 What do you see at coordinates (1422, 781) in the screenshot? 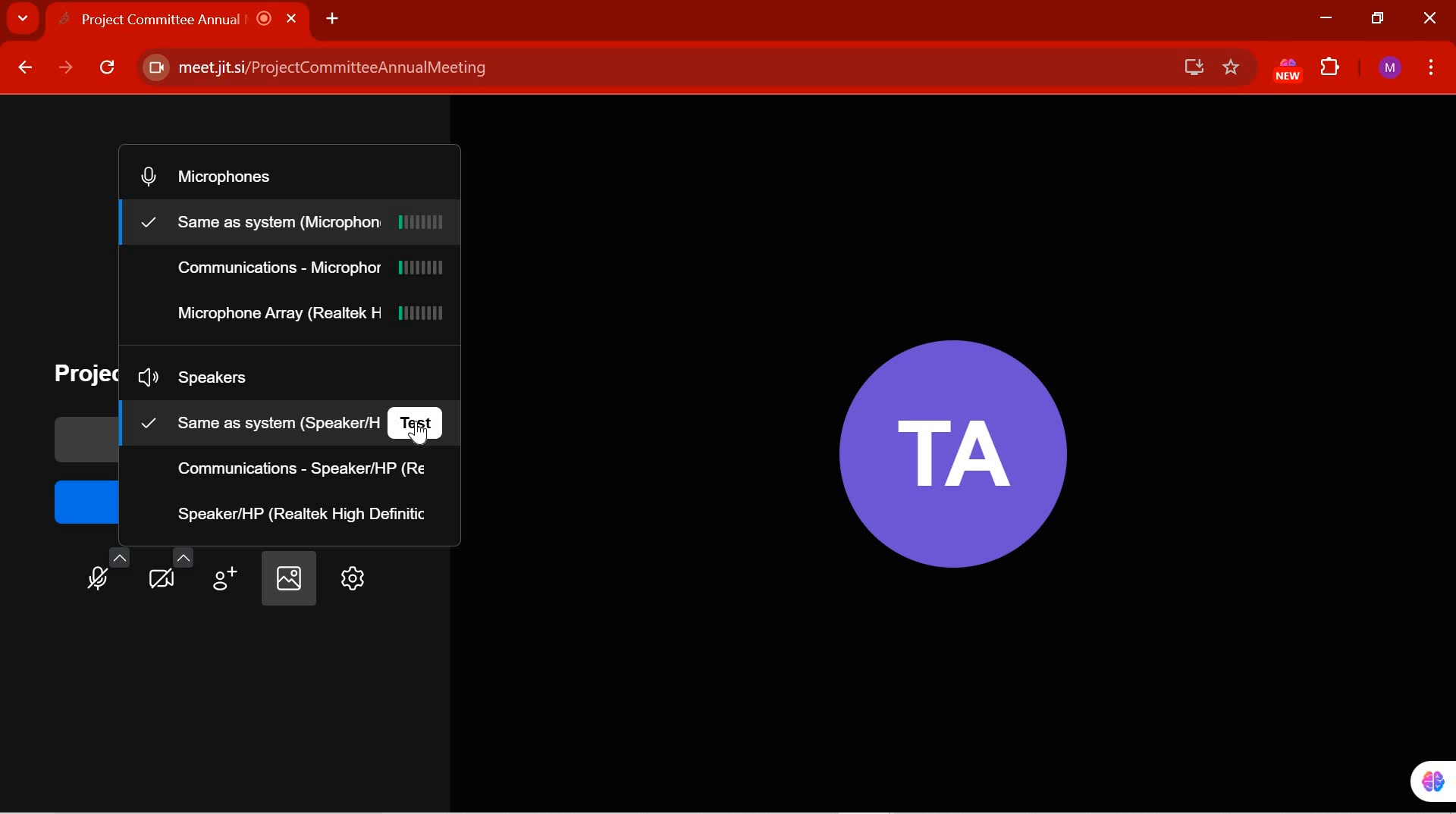
I see `pinned extension` at bounding box center [1422, 781].